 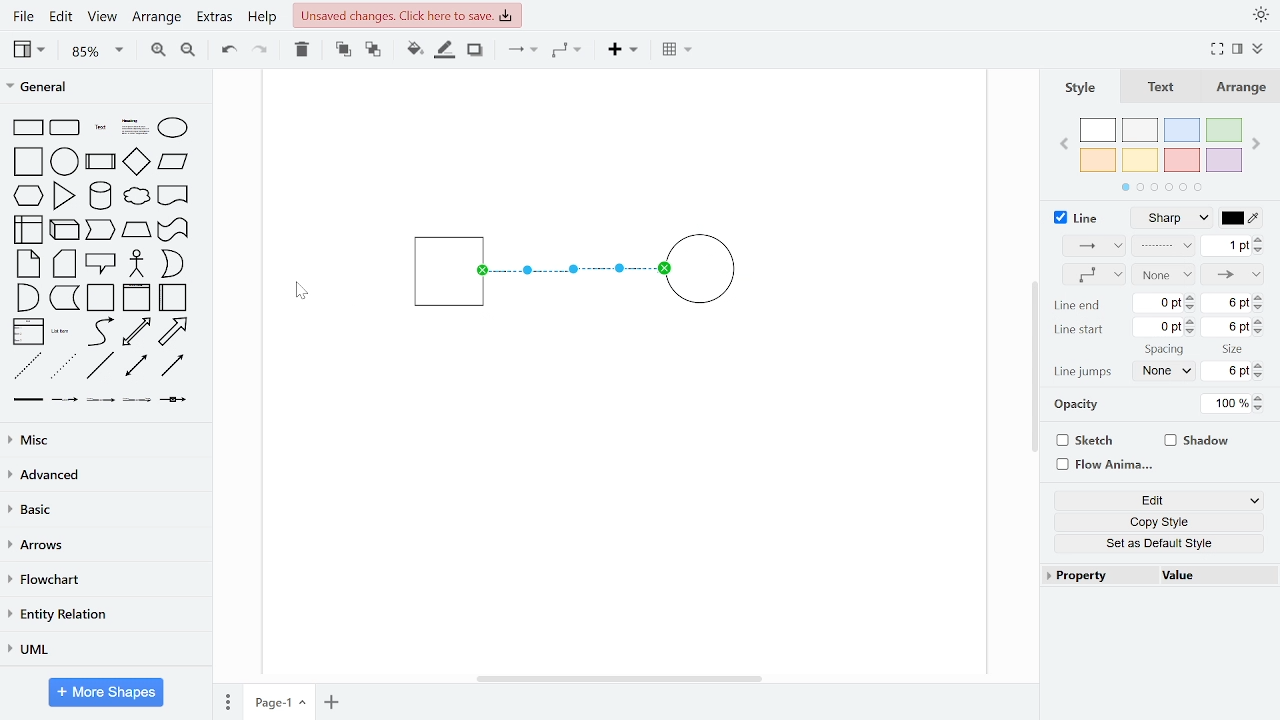 What do you see at coordinates (138, 265) in the screenshot?
I see `actor` at bounding box center [138, 265].